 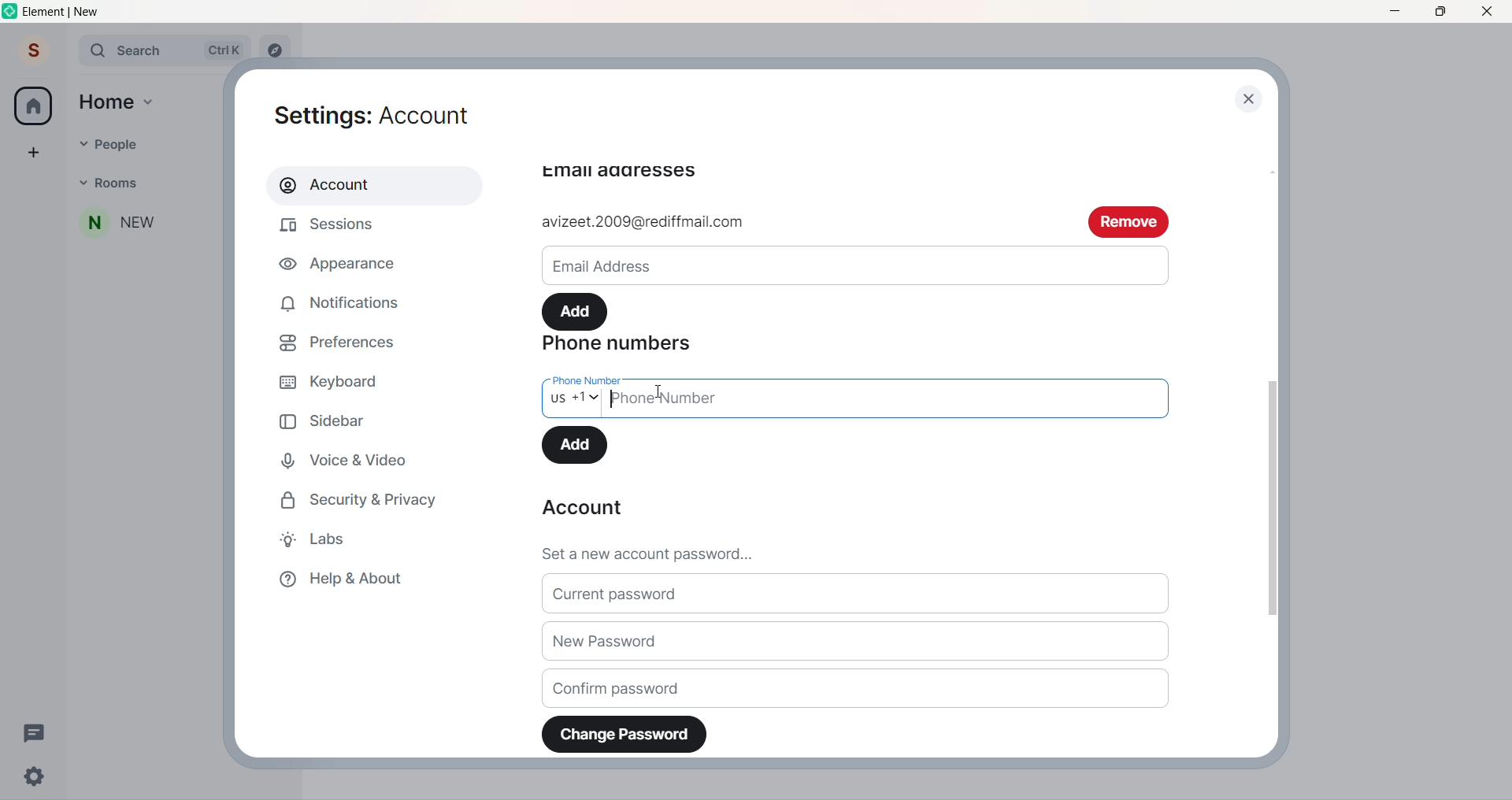 What do you see at coordinates (369, 498) in the screenshot?
I see `Security and Privacy` at bounding box center [369, 498].